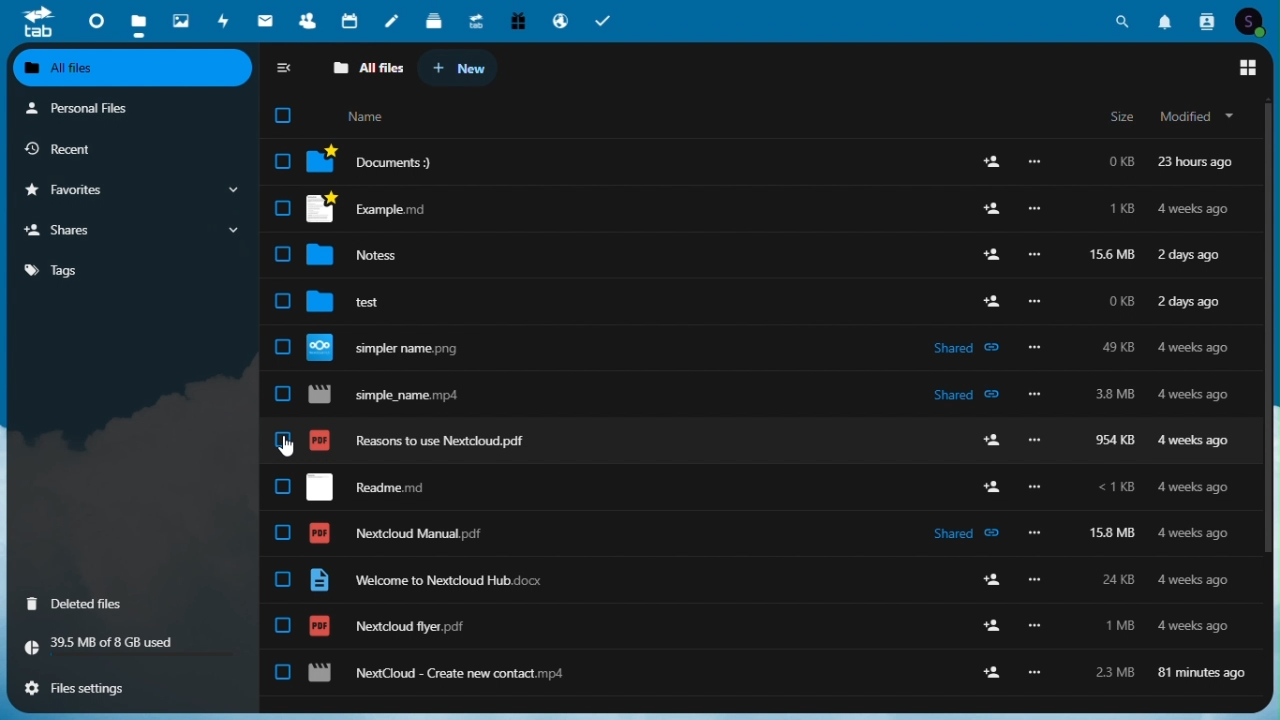 This screenshot has height=720, width=1280. What do you see at coordinates (1127, 18) in the screenshot?
I see `search` at bounding box center [1127, 18].